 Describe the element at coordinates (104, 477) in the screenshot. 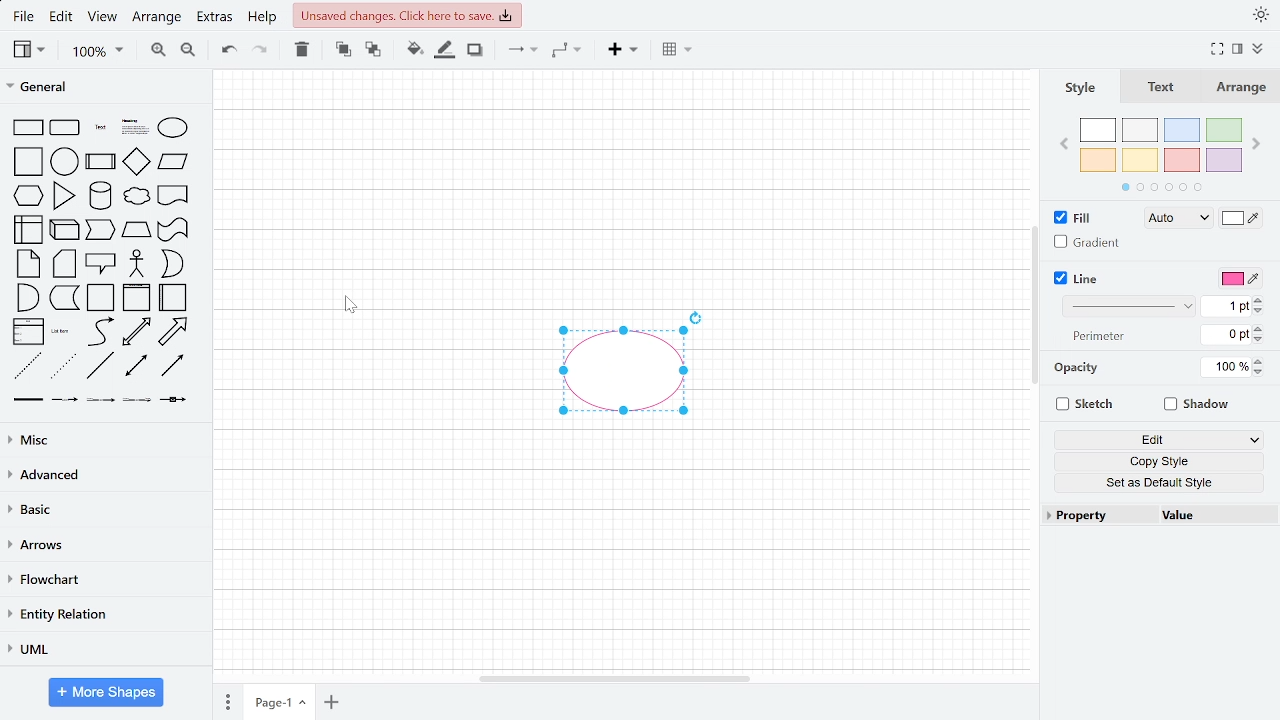

I see `Advanced` at that location.